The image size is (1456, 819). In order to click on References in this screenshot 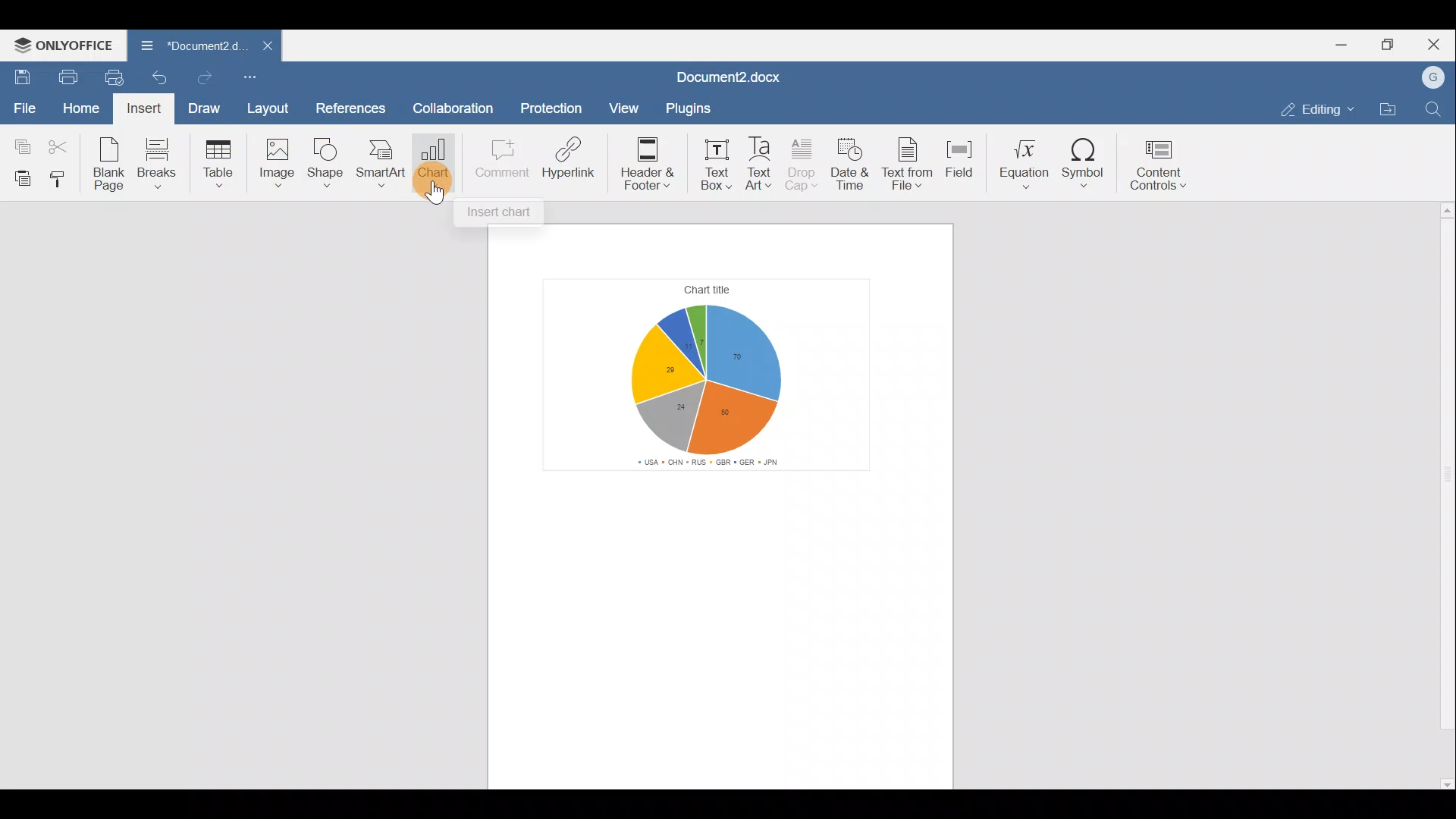, I will do `click(352, 104)`.